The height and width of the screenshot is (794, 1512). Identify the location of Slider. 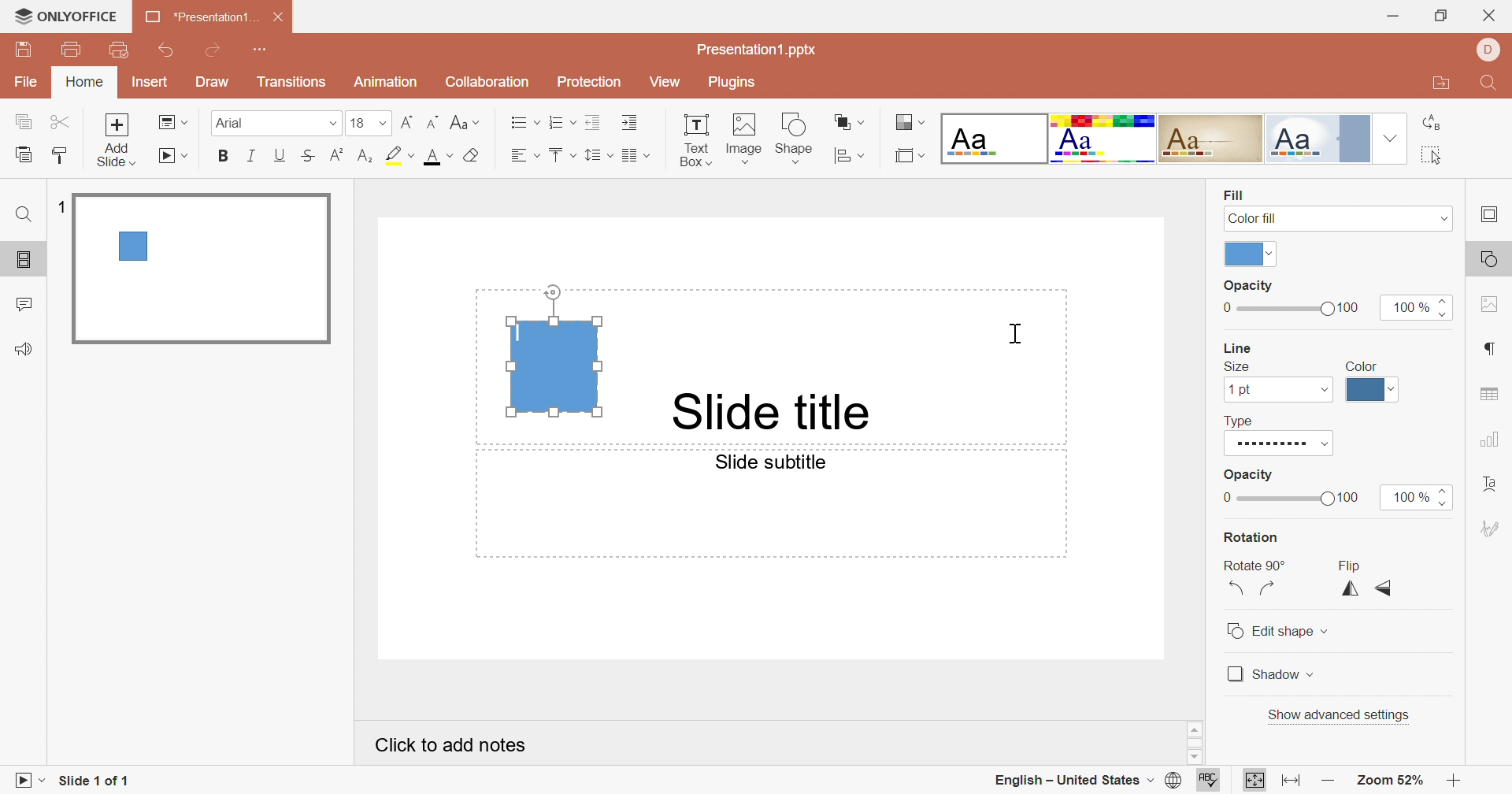
(1449, 306).